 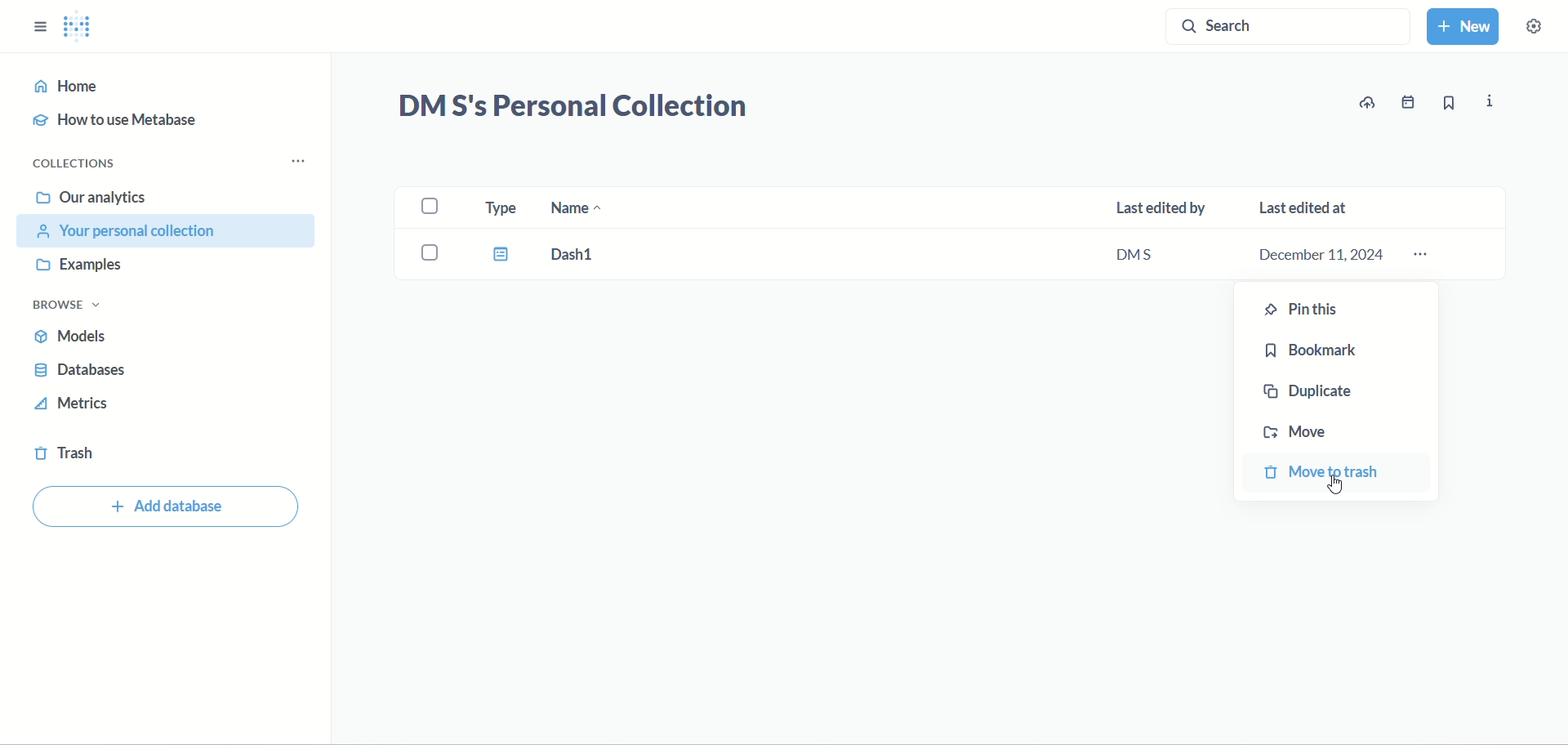 I want to click on our analytics, so click(x=91, y=198).